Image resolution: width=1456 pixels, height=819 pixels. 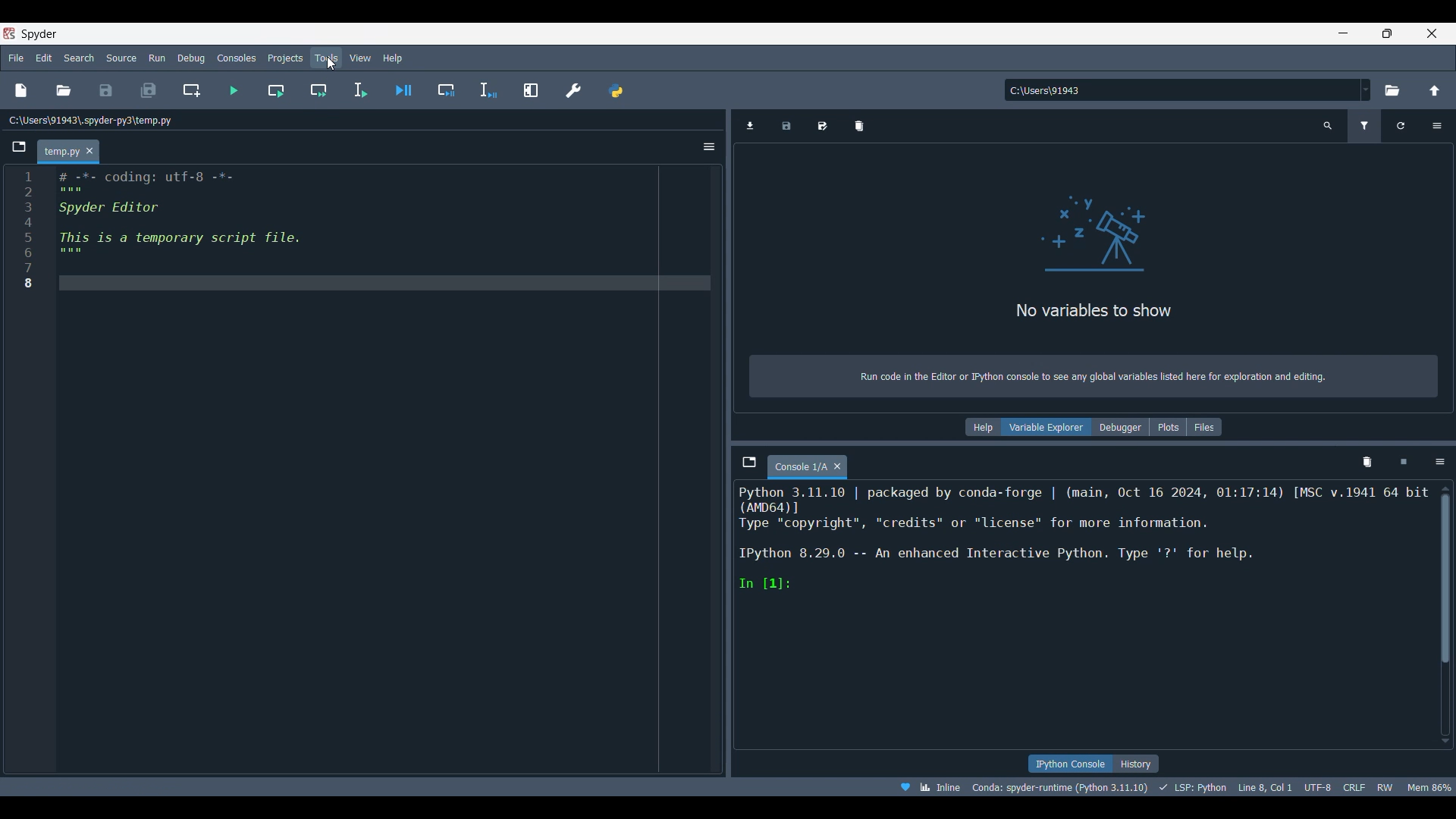 I want to click on Save all files, so click(x=148, y=90).